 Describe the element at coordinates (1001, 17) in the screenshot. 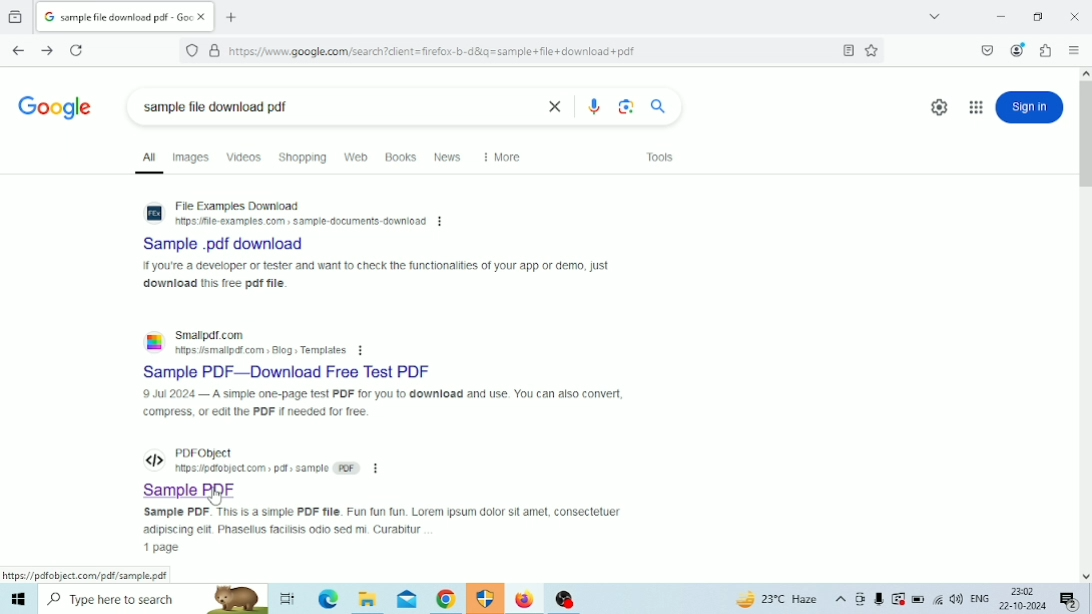

I see `Minimize` at that location.